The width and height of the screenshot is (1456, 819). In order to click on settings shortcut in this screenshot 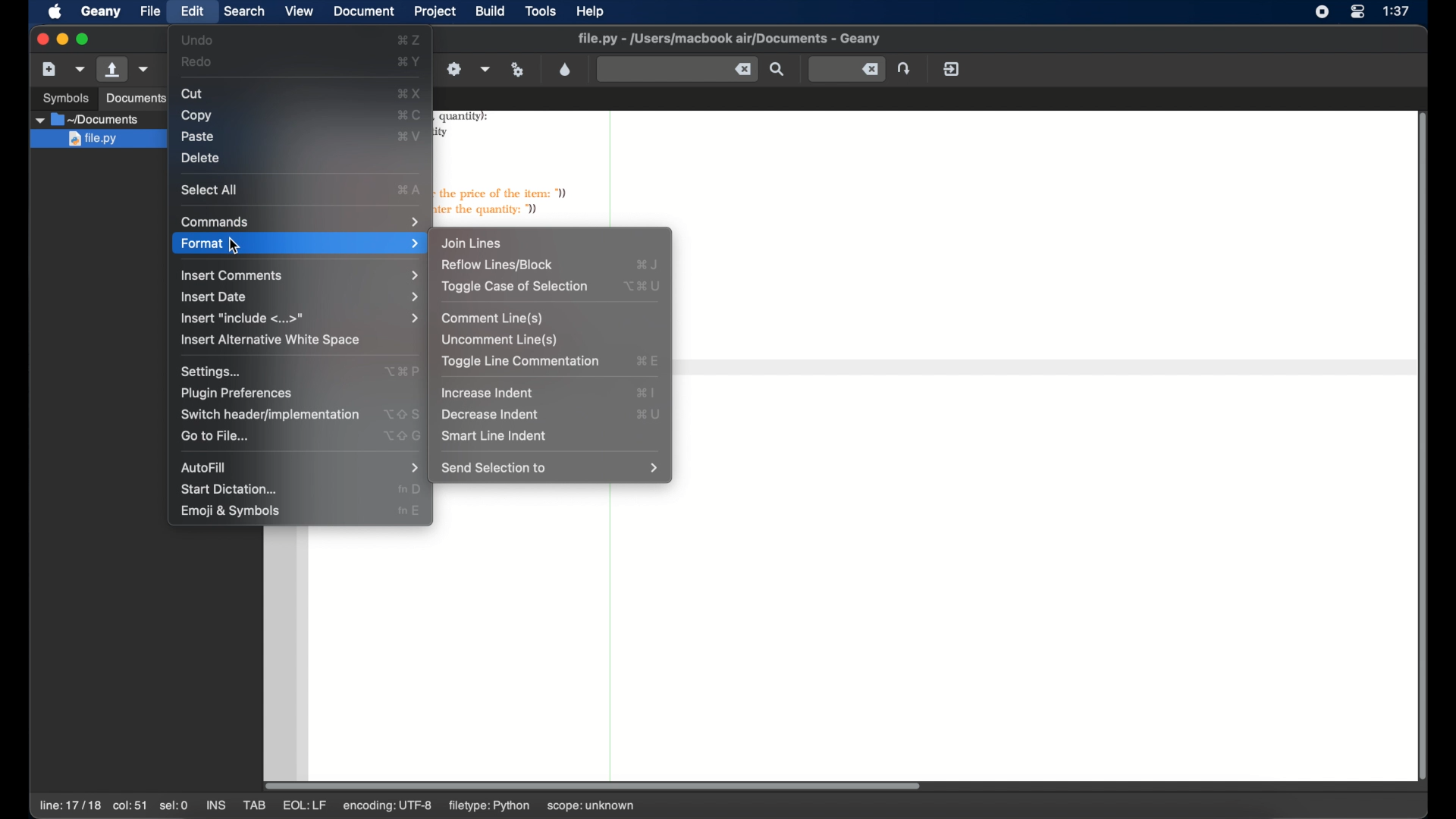, I will do `click(401, 372)`.